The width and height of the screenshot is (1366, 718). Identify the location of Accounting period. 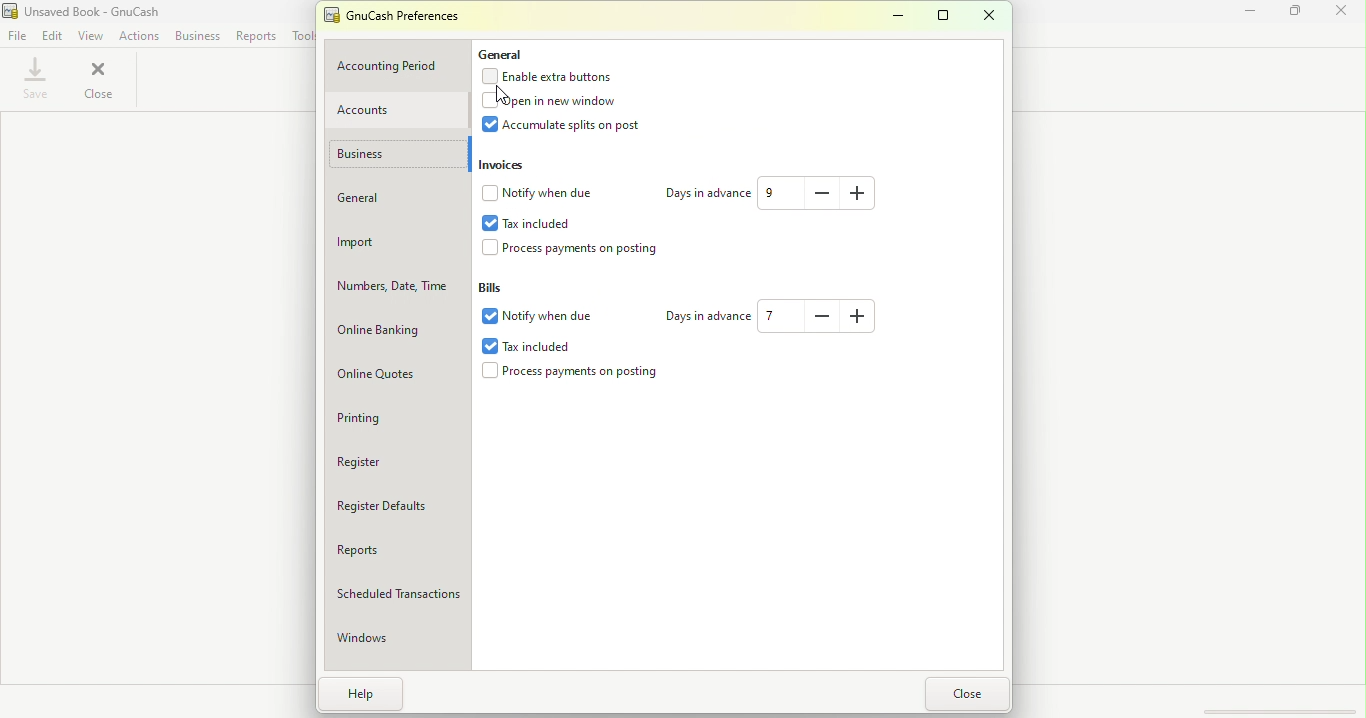
(392, 69).